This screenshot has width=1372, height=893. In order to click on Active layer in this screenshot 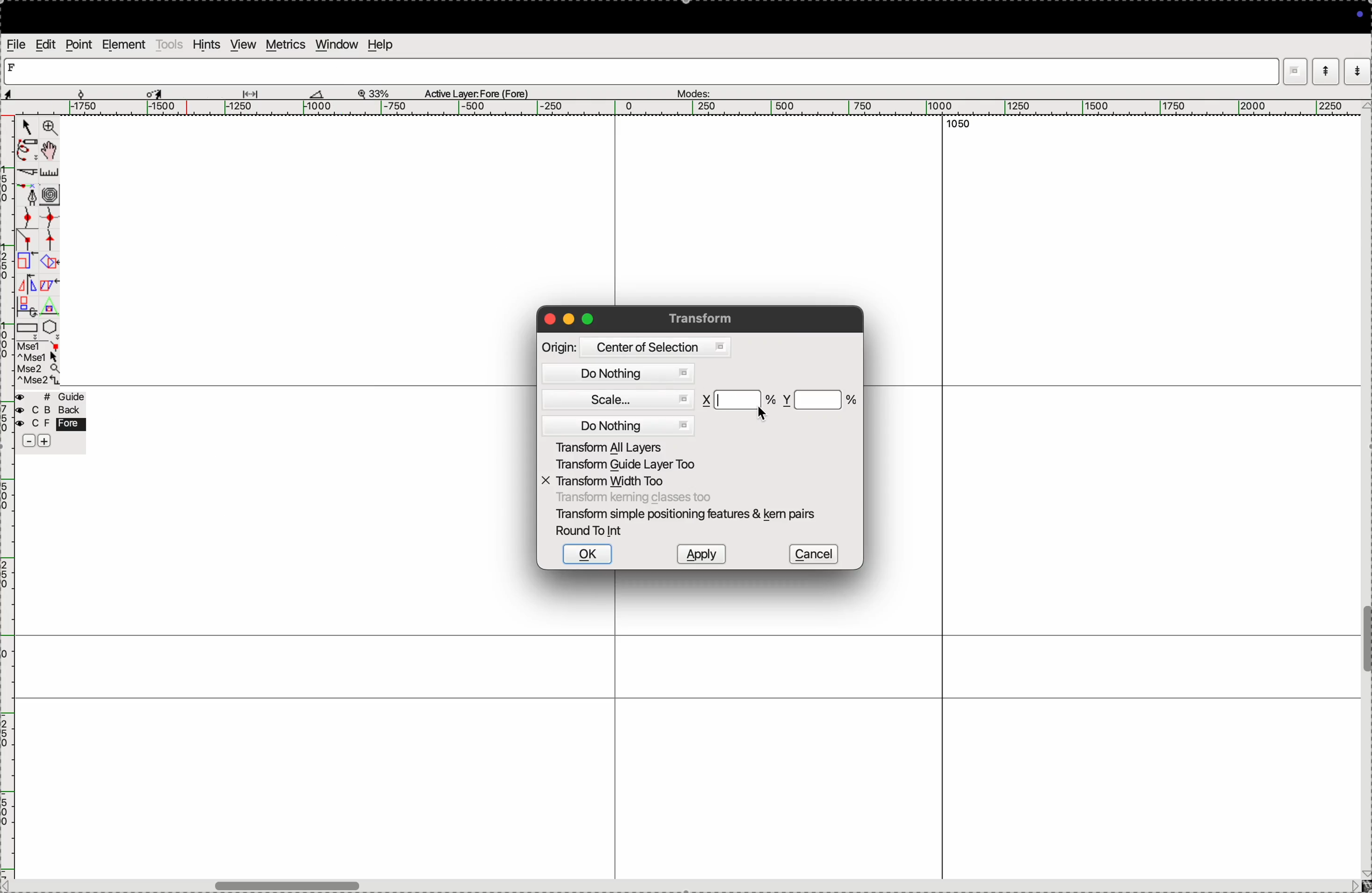, I will do `click(477, 92)`.